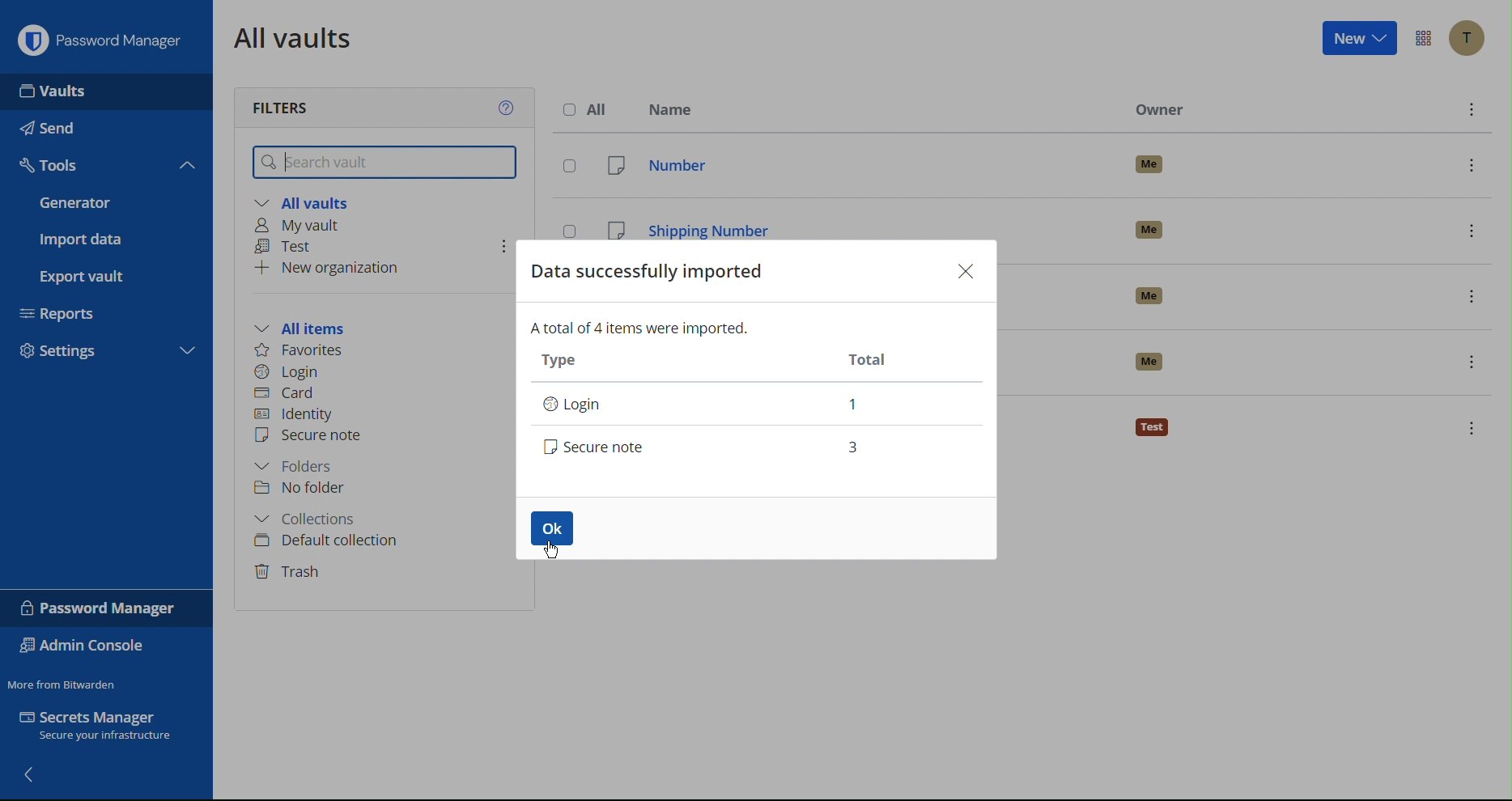 The image size is (1512, 801). What do you see at coordinates (552, 550) in the screenshot?
I see `cursor` at bounding box center [552, 550].